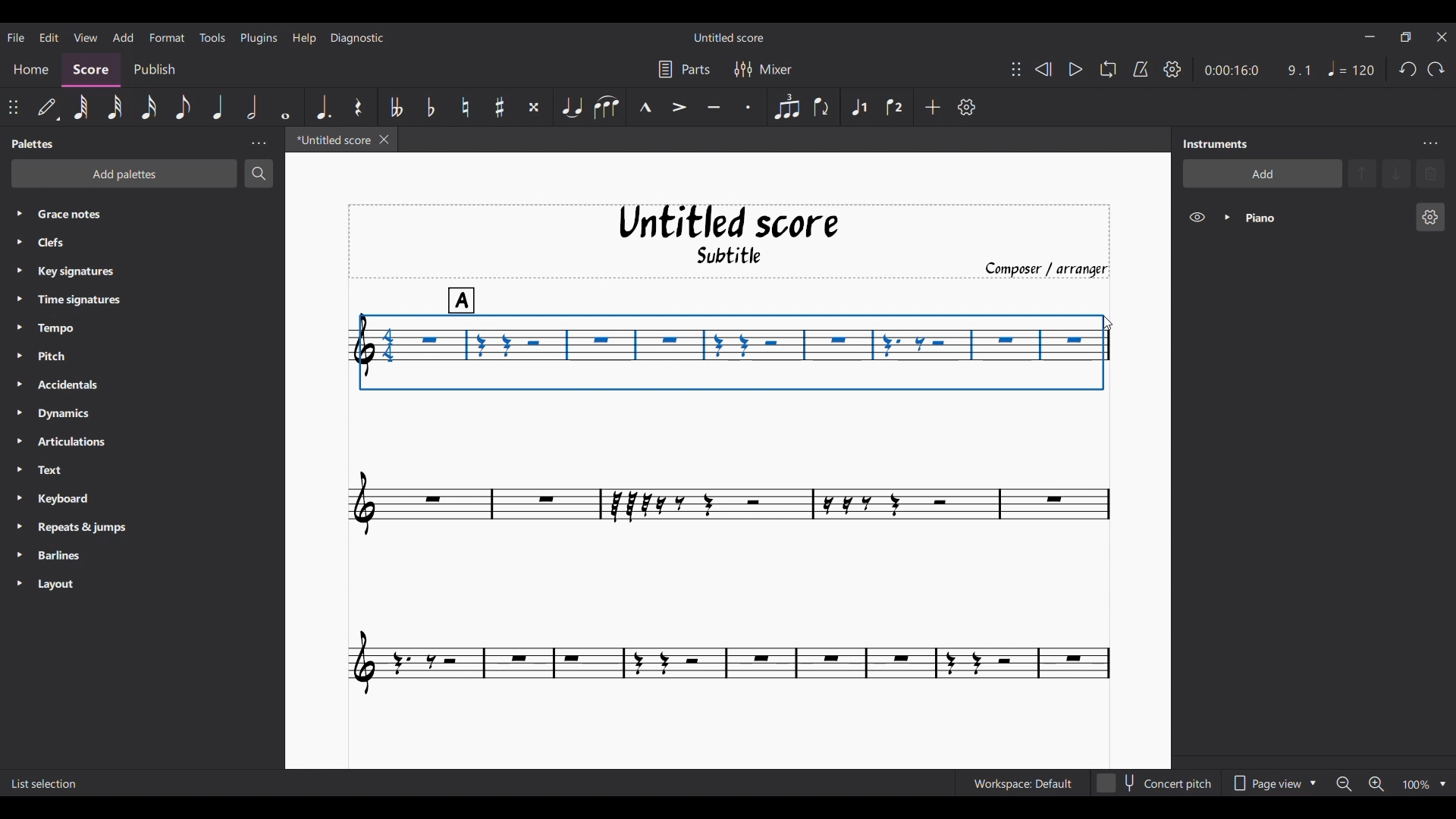  I want to click on Slur, so click(606, 107).